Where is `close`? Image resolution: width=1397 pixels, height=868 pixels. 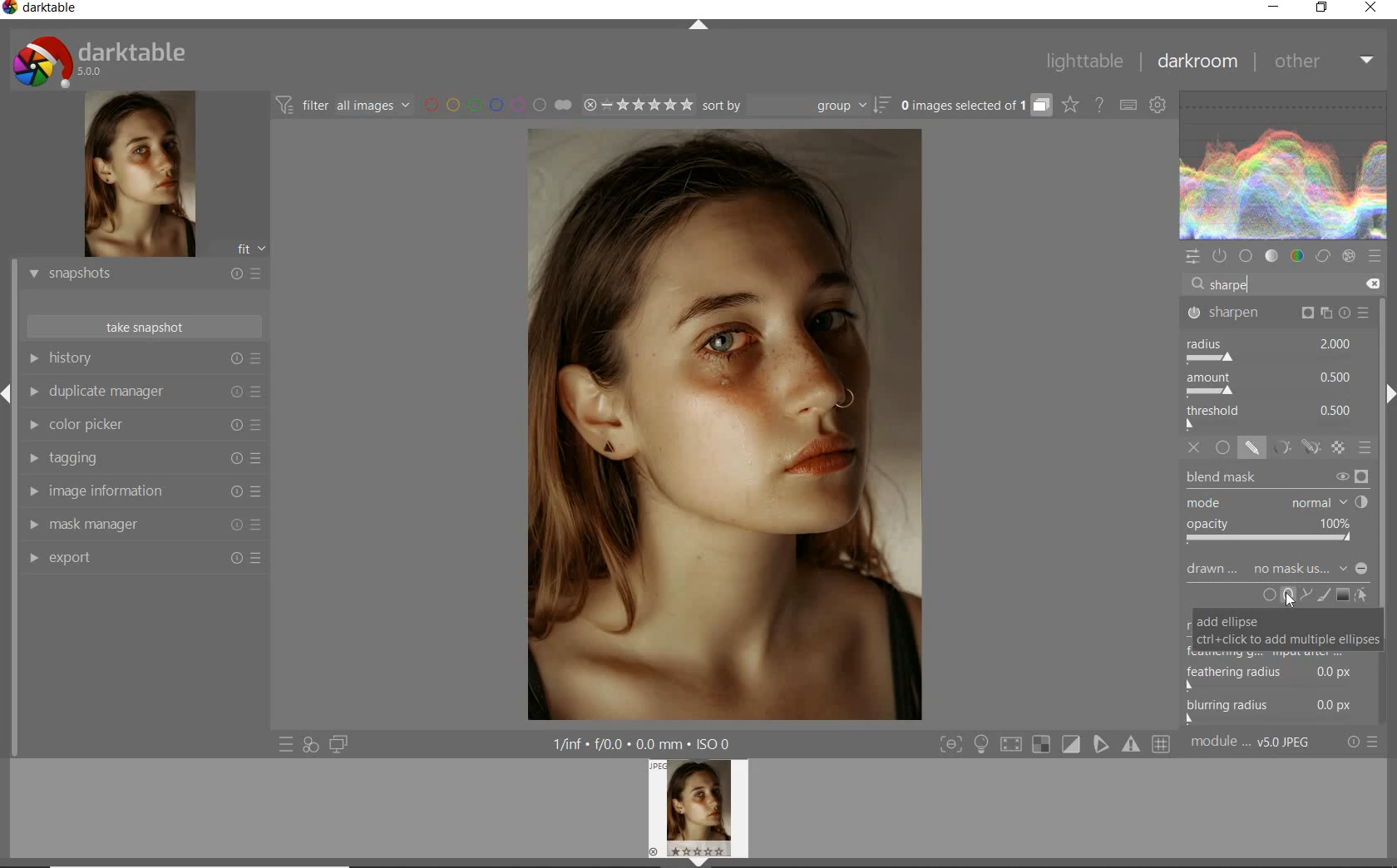 close is located at coordinates (1372, 9).